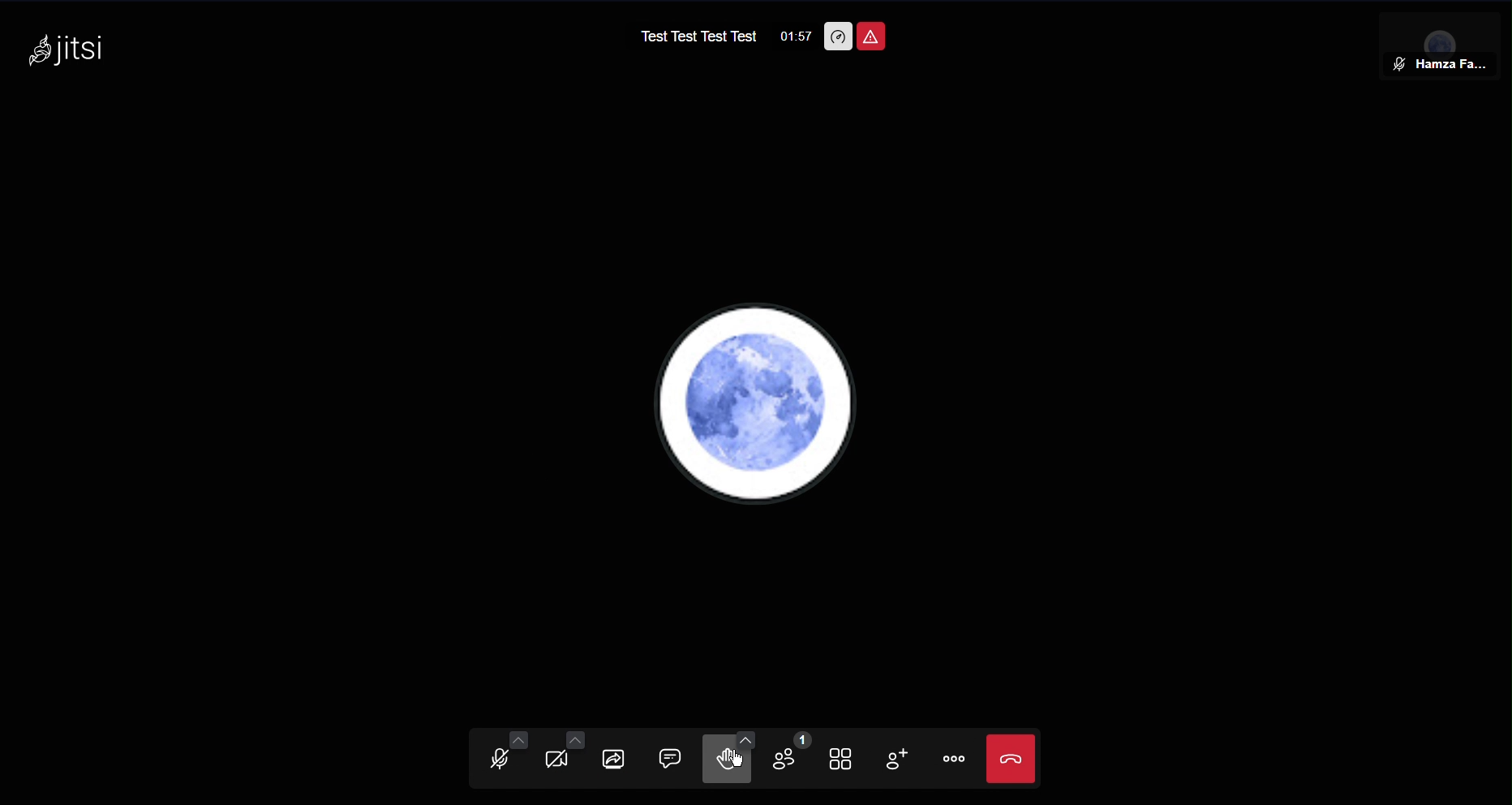 The image size is (1512, 805). Describe the element at coordinates (1007, 762) in the screenshot. I see `Close` at that location.